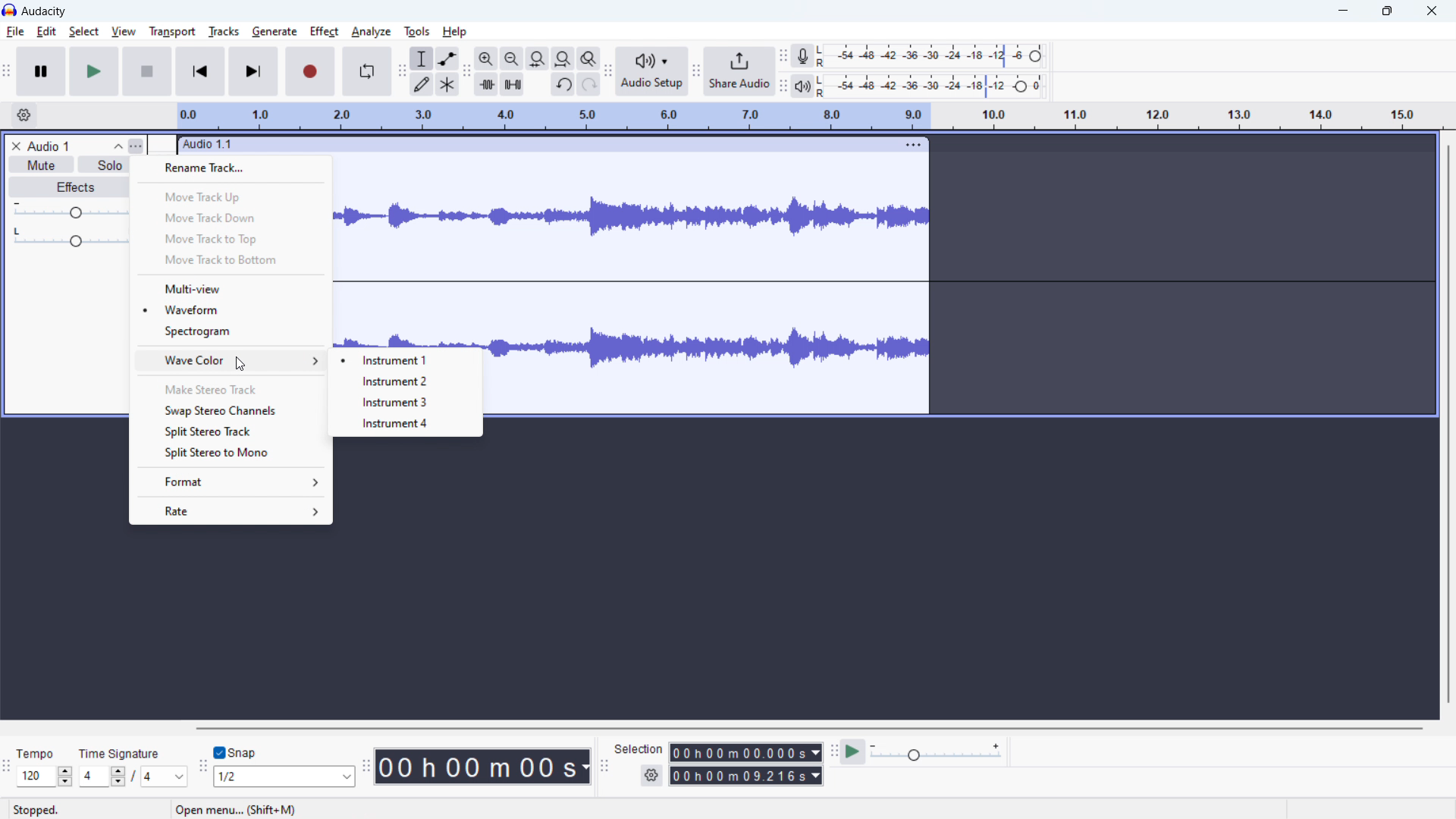 The height and width of the screenshot is (819, 1456). I want to click on pause, so click(42, 72).